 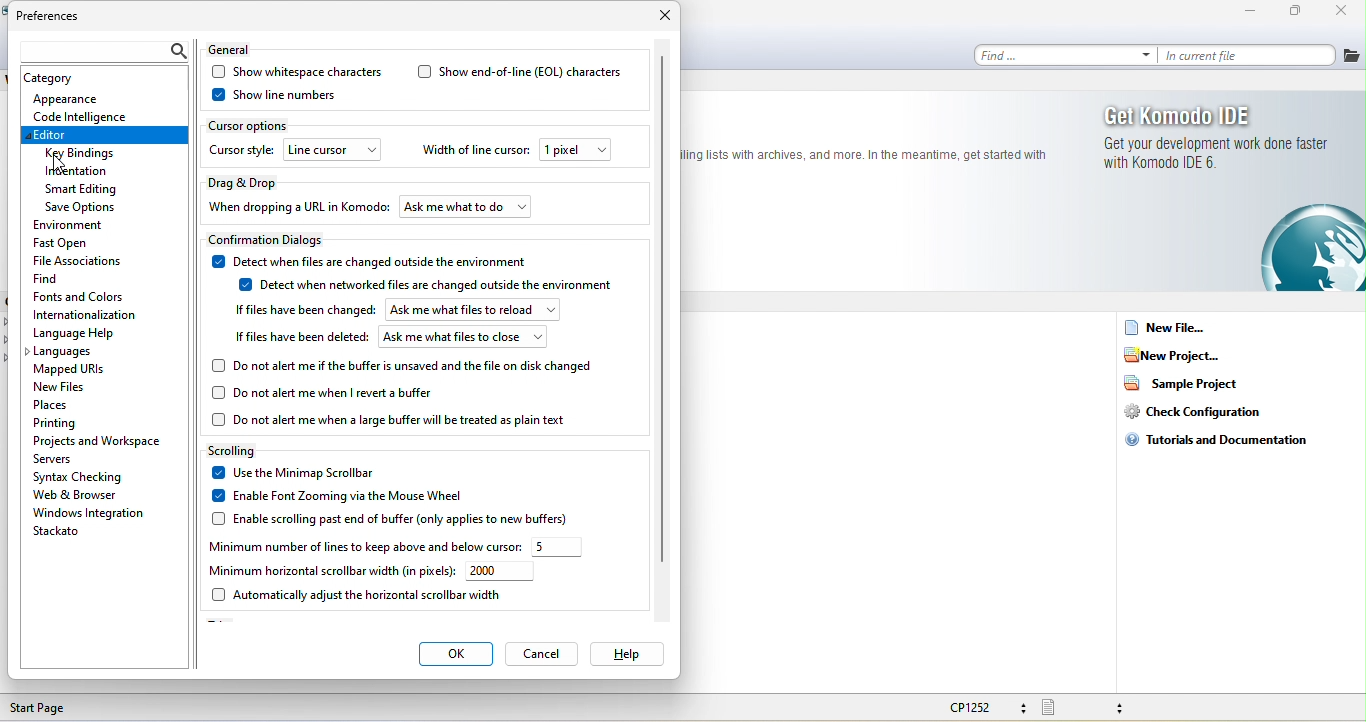 What do you see at coordinates (82, 154) in the screenshot?
I see `key bindings` at bounding box center [82, 154].